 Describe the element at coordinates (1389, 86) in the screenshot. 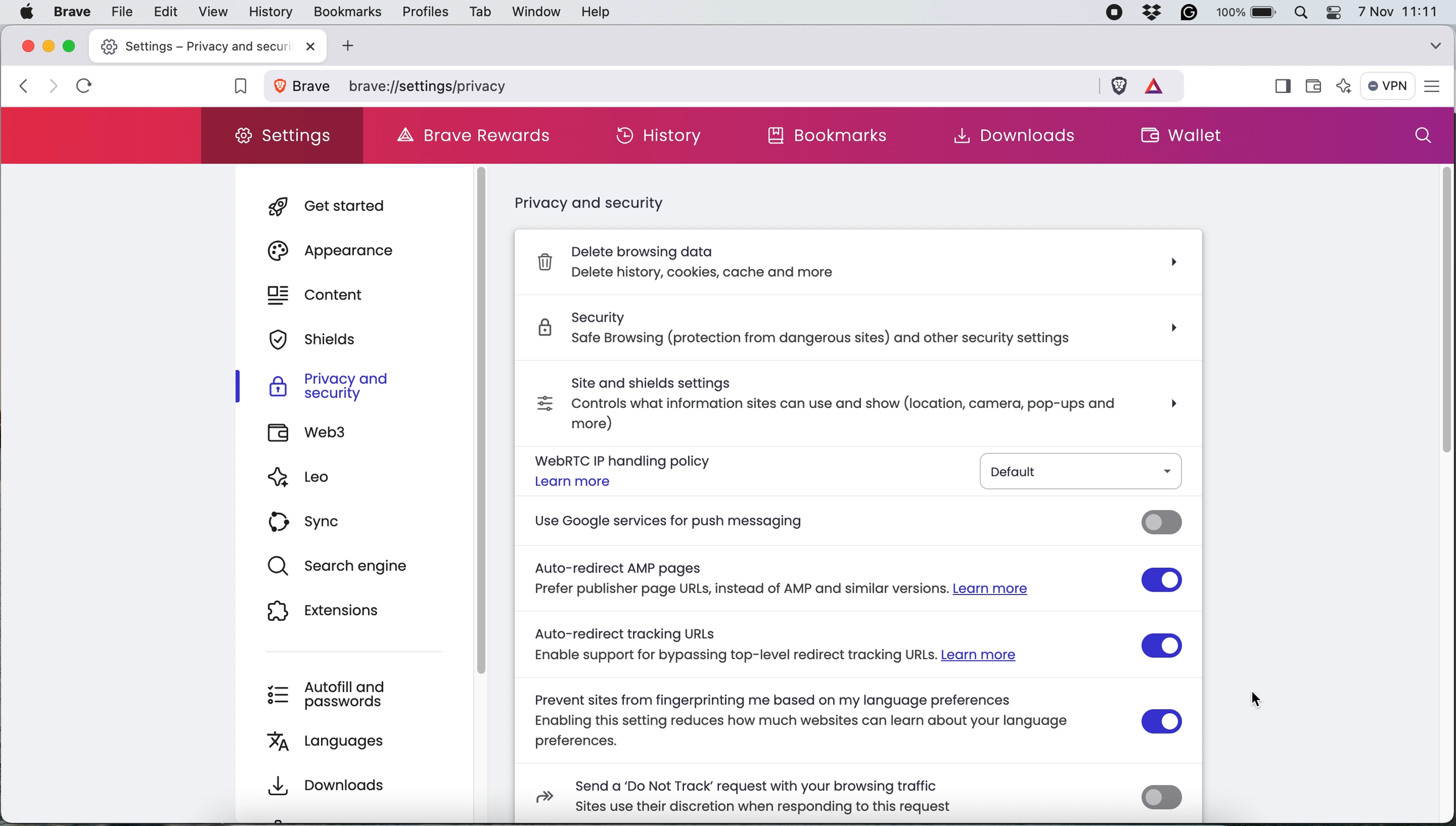

I see `vpn` at that location.